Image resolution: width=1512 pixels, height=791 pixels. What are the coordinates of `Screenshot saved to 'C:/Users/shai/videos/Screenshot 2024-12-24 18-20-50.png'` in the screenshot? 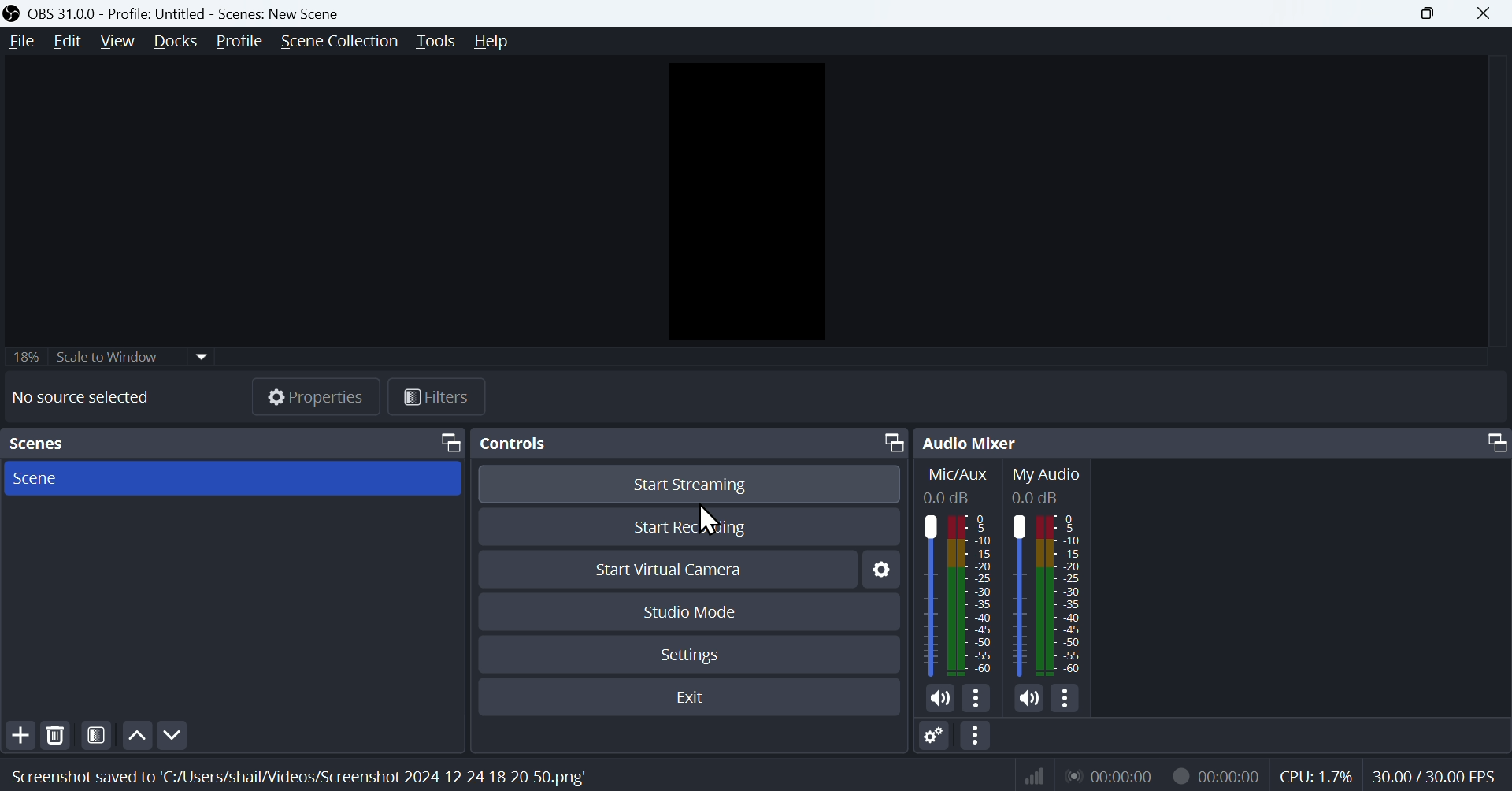 It's located at (306, 772).